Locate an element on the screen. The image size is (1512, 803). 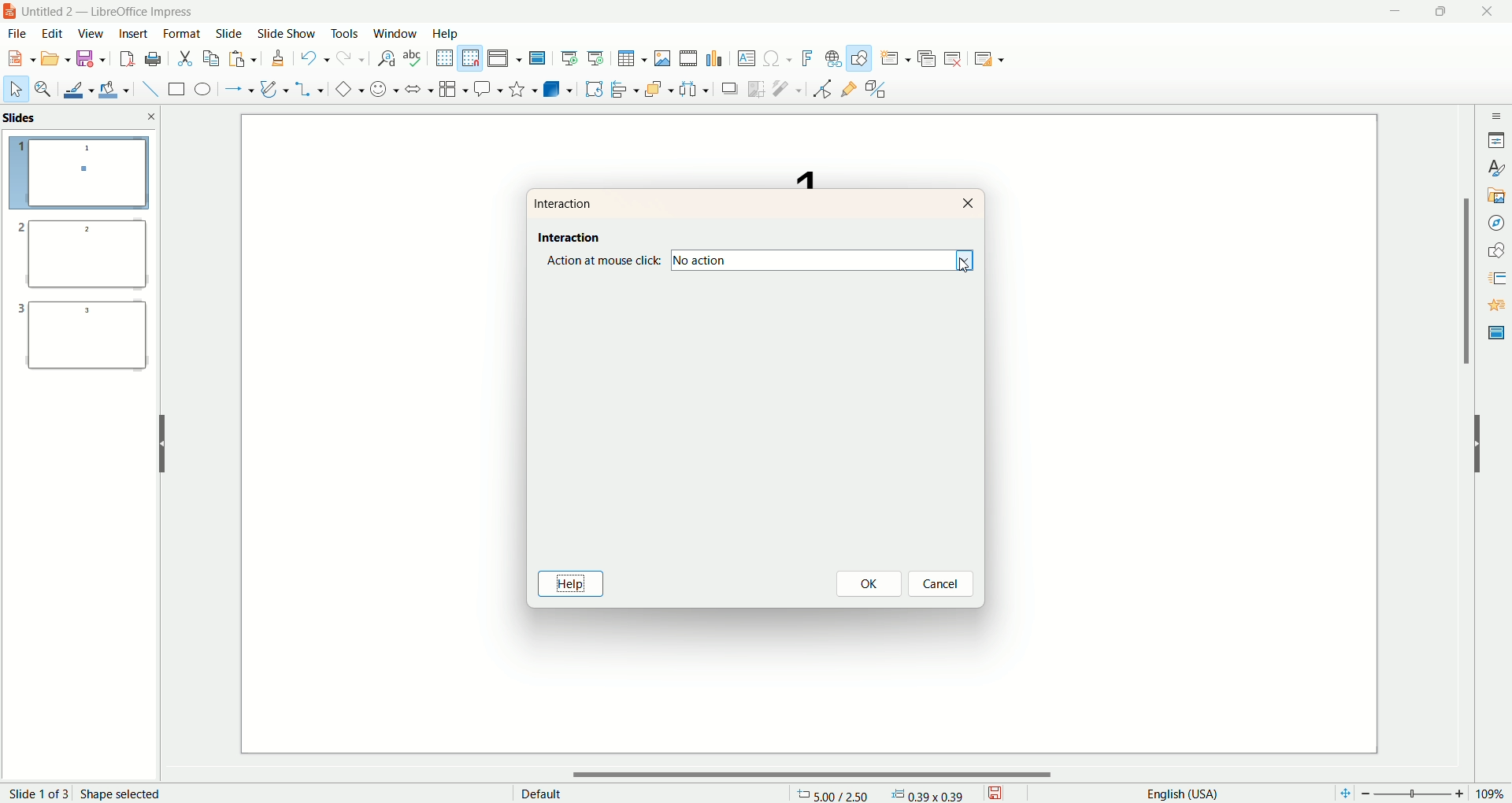
file is located at coordinates (22, 34).